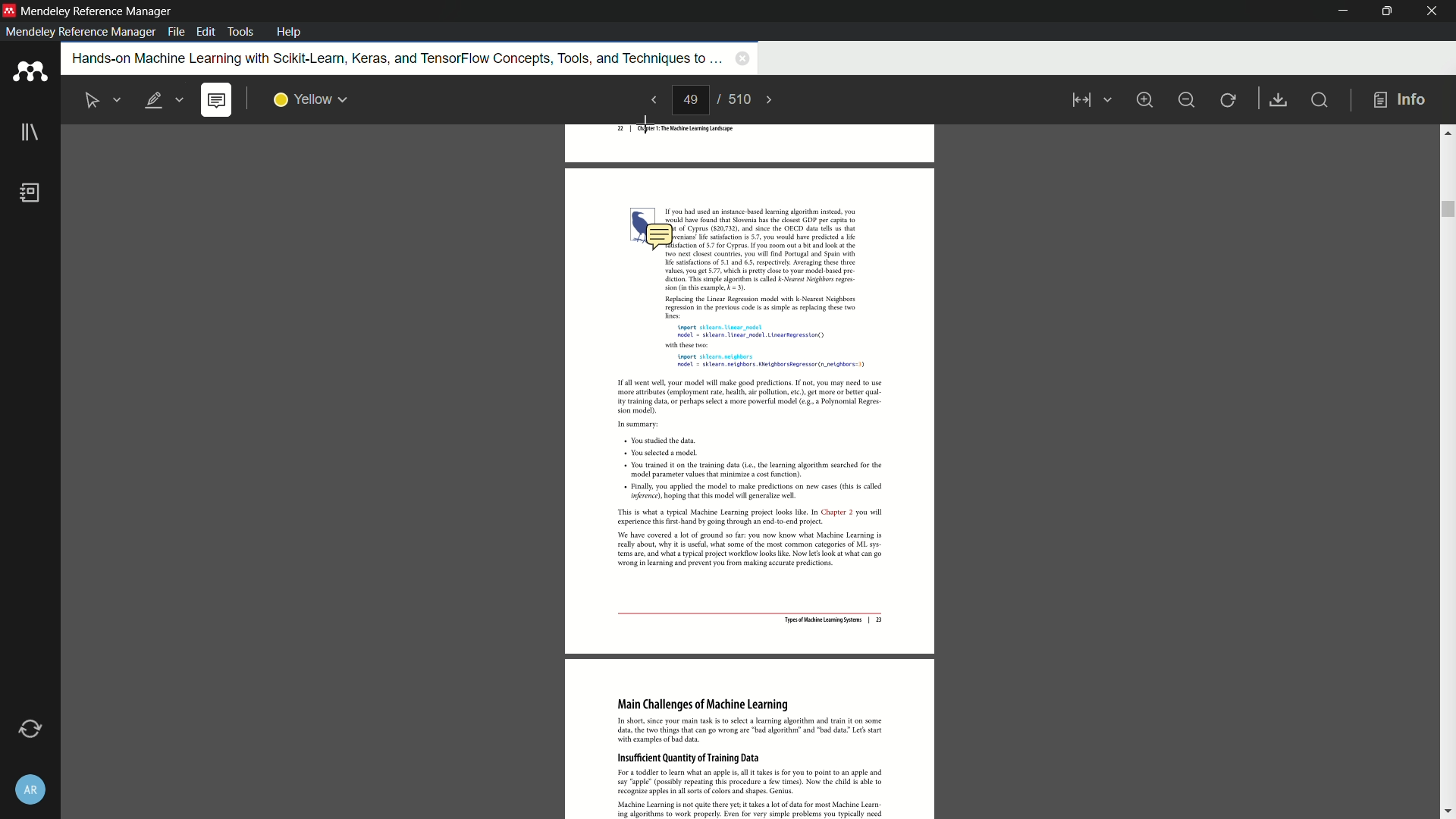  What do you see at coordinates (309, 99) in the screenshot?
I see `text highlight color` at bounding box center [309, 99].